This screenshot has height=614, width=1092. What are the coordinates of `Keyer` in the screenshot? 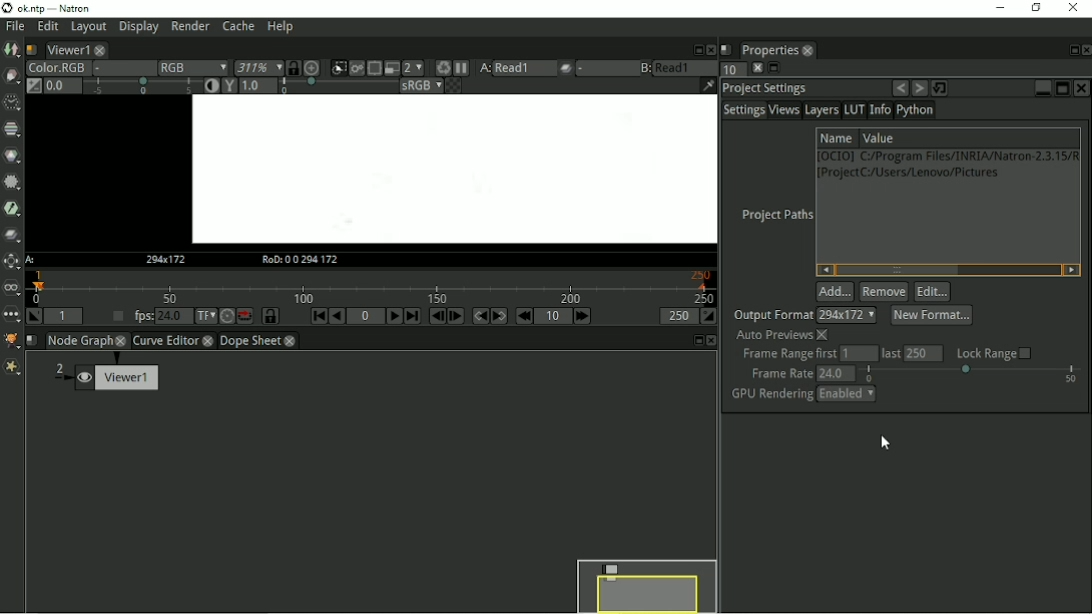 It's located at (12, 208).